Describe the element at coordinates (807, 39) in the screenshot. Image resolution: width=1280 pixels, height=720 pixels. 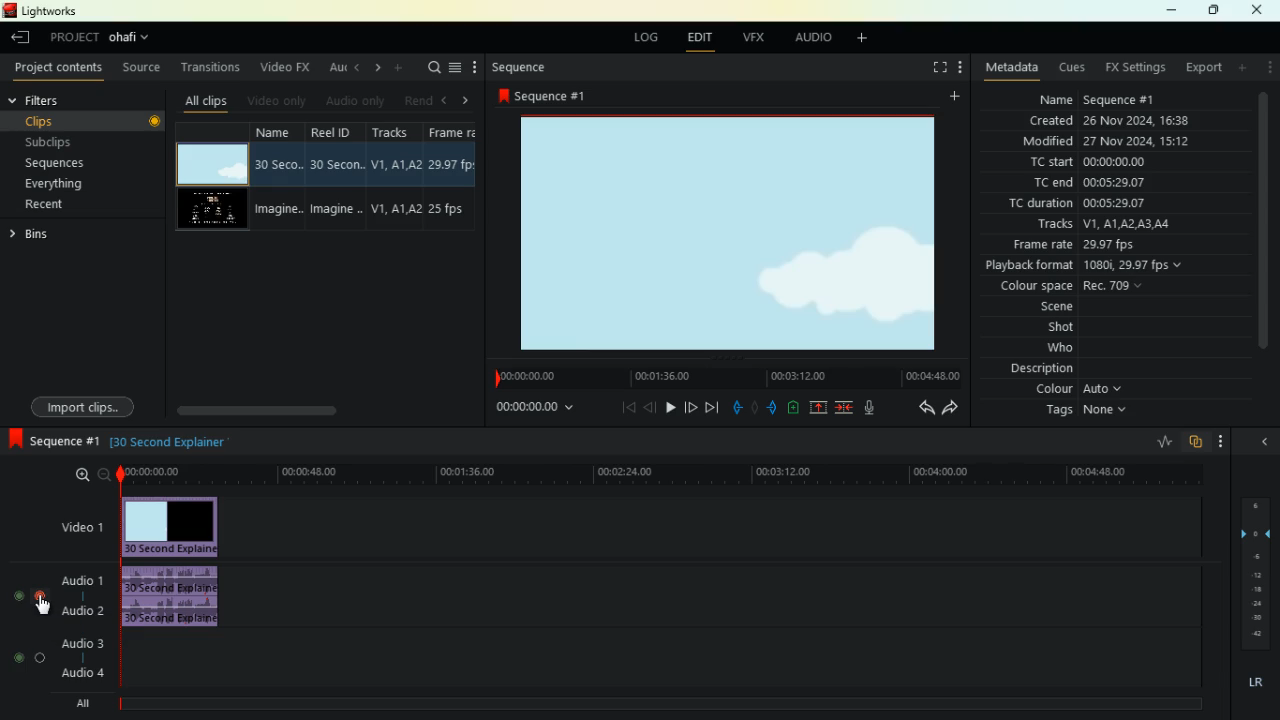
I see `audio` at that location.